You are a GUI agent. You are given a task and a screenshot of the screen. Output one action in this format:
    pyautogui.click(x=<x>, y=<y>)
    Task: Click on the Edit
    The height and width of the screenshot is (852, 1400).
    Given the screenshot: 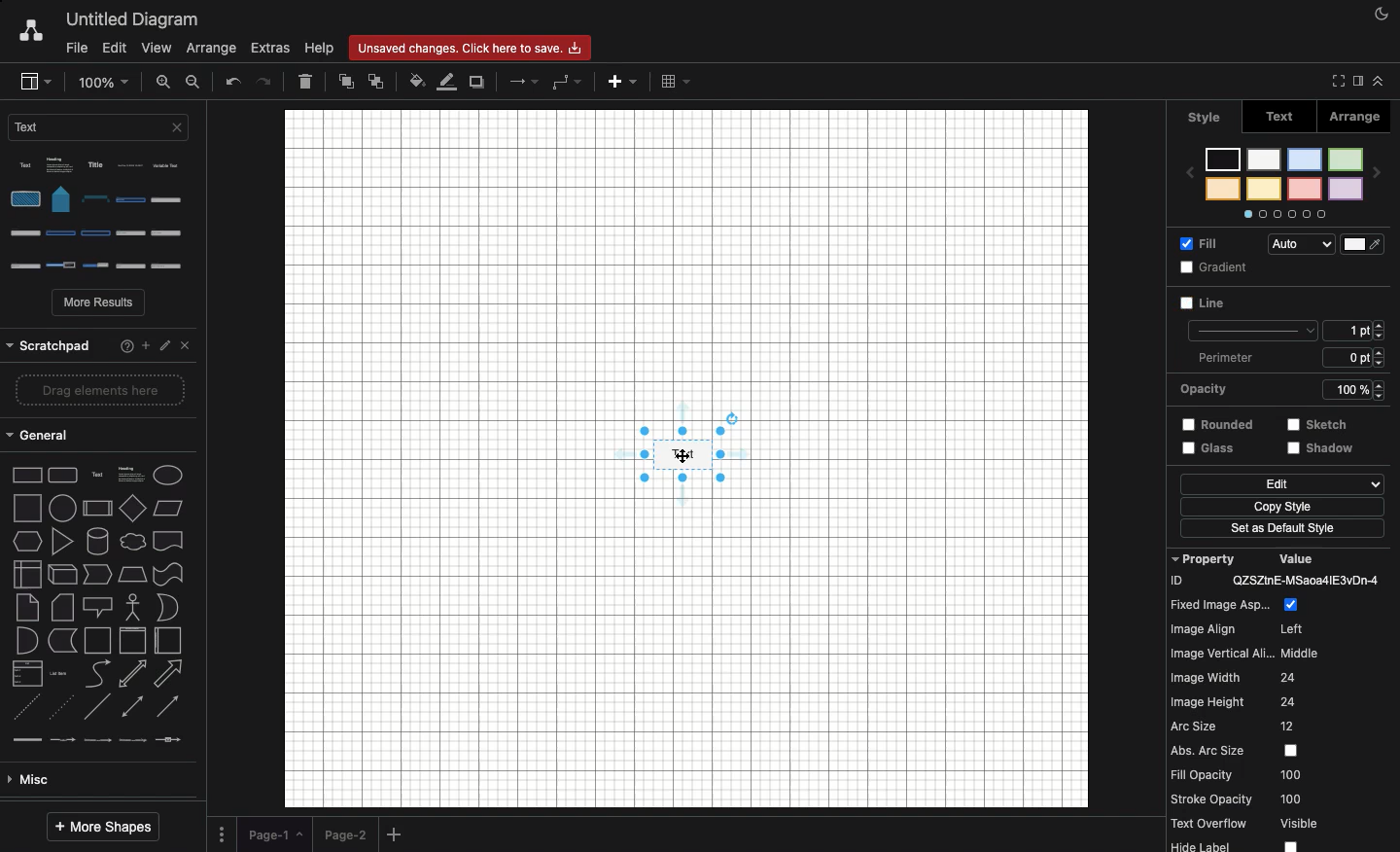 What is the action you would take?
    pyautogui.click(x=1207, y=450)
    